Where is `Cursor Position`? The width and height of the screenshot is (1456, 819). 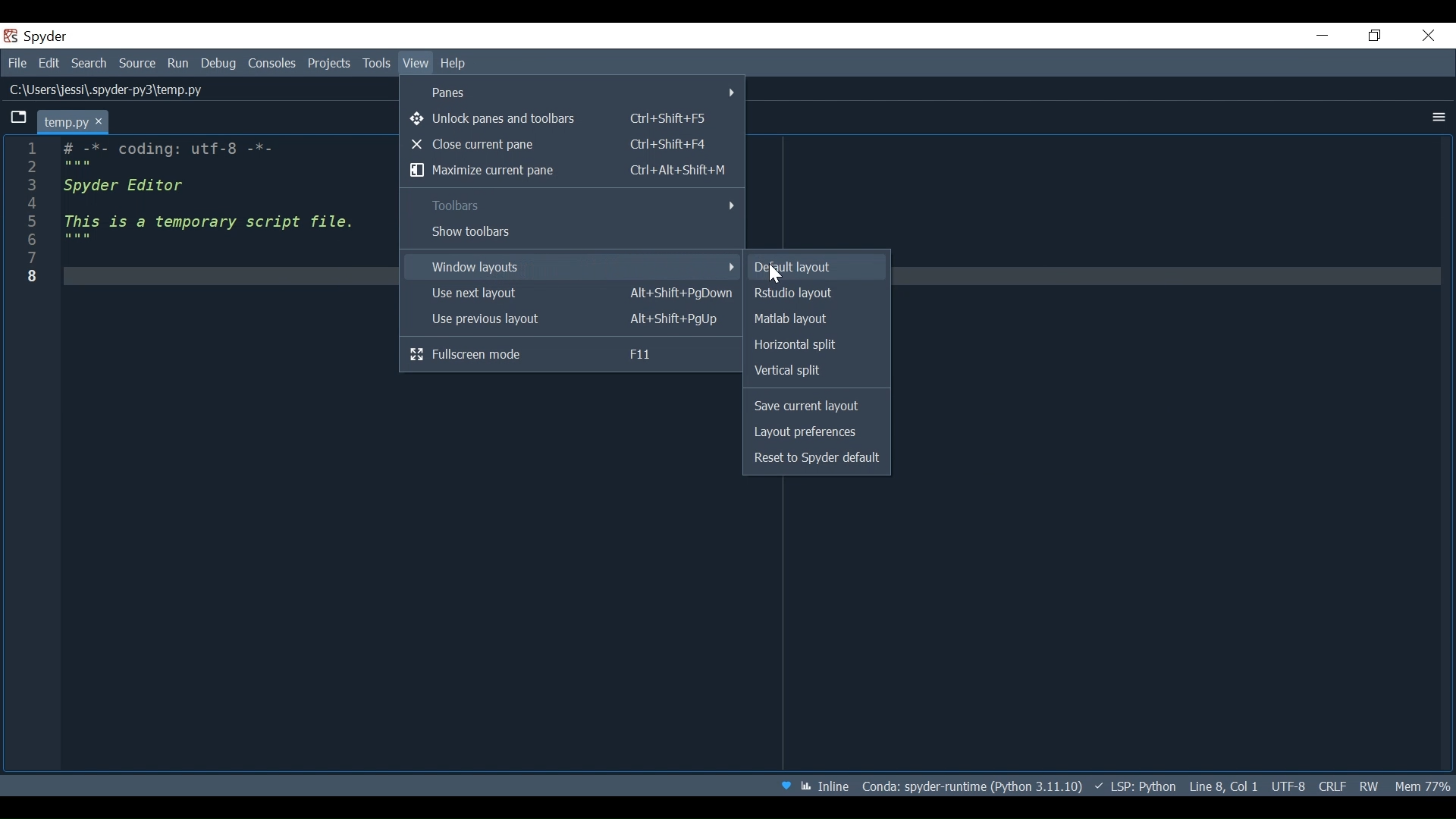
Cursor Position is located at coordinates (1223, 786).